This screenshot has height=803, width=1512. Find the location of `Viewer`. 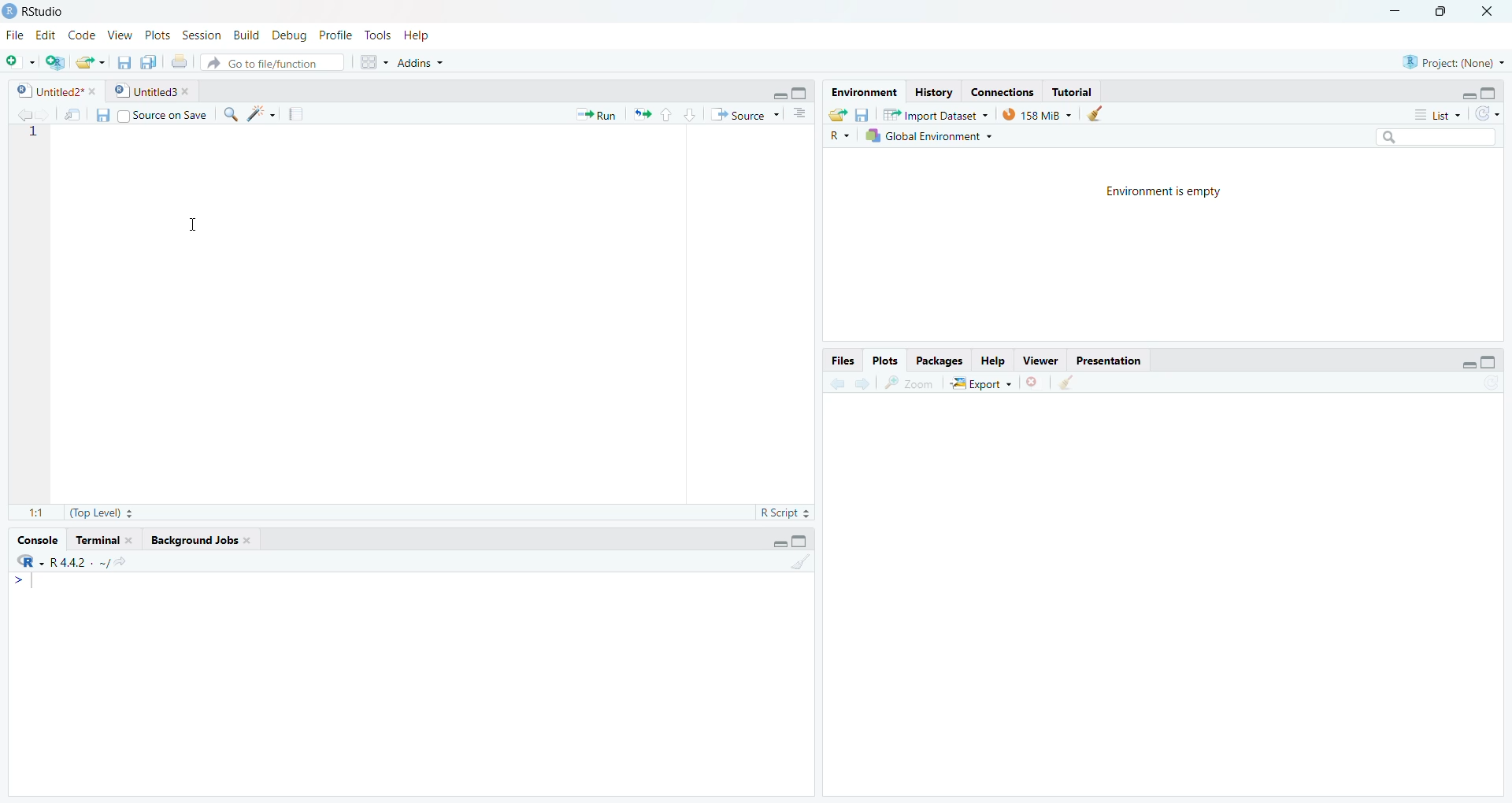

Viewer is located at coordinates (1041, 361).